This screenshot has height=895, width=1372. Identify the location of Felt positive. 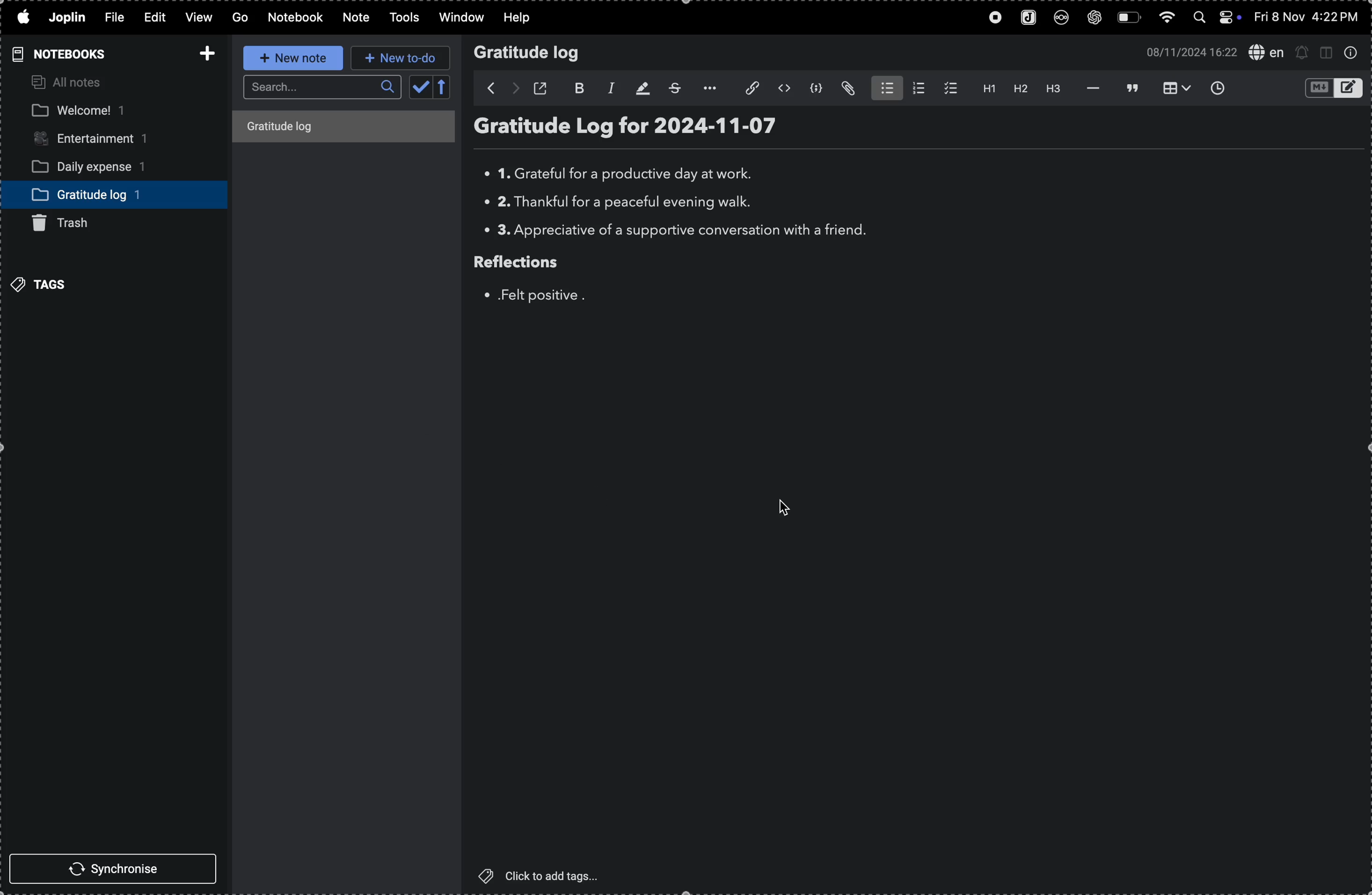
(534, 295).